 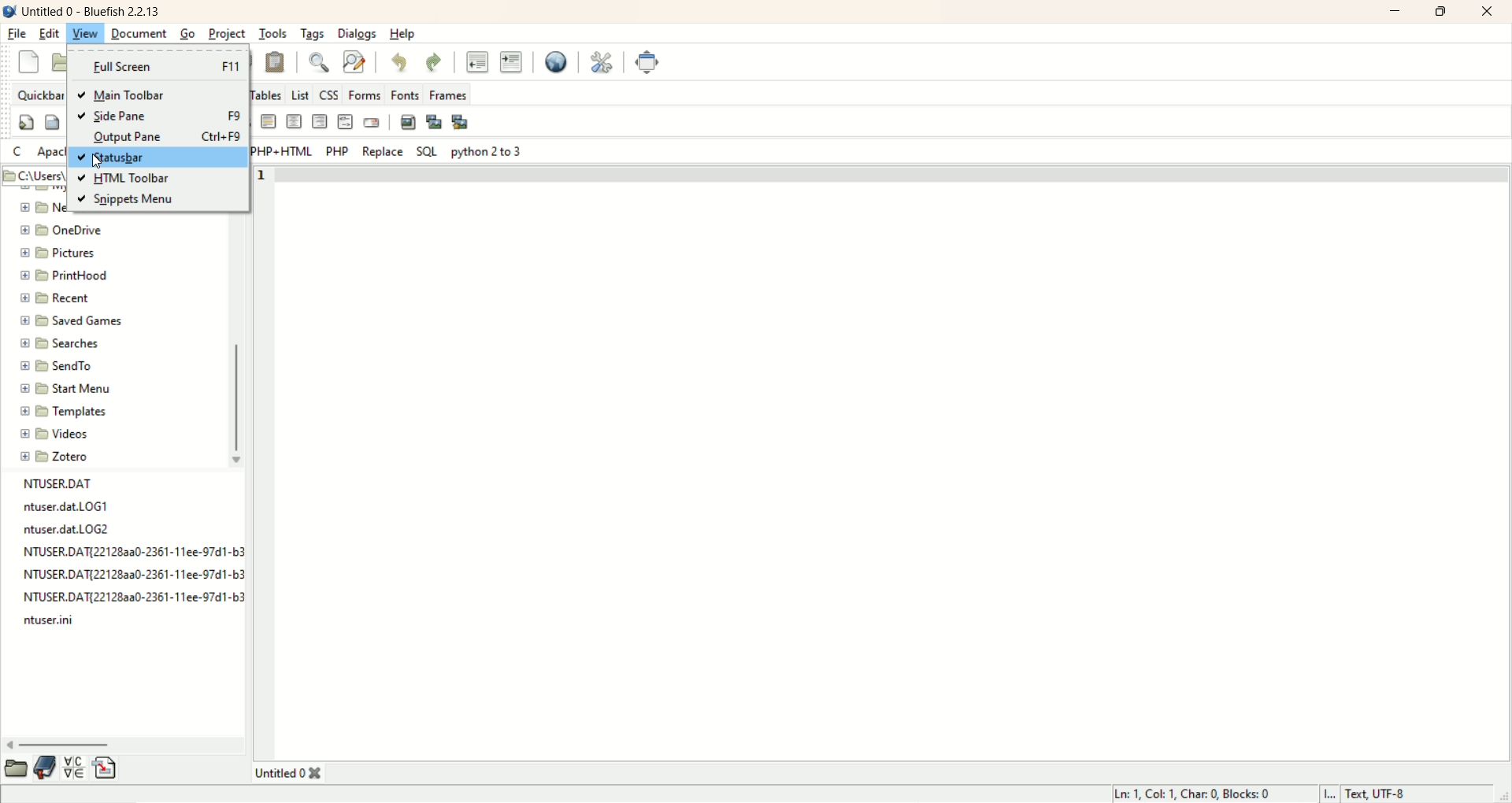 I want to click on right justify, so click(x=319, y=121).